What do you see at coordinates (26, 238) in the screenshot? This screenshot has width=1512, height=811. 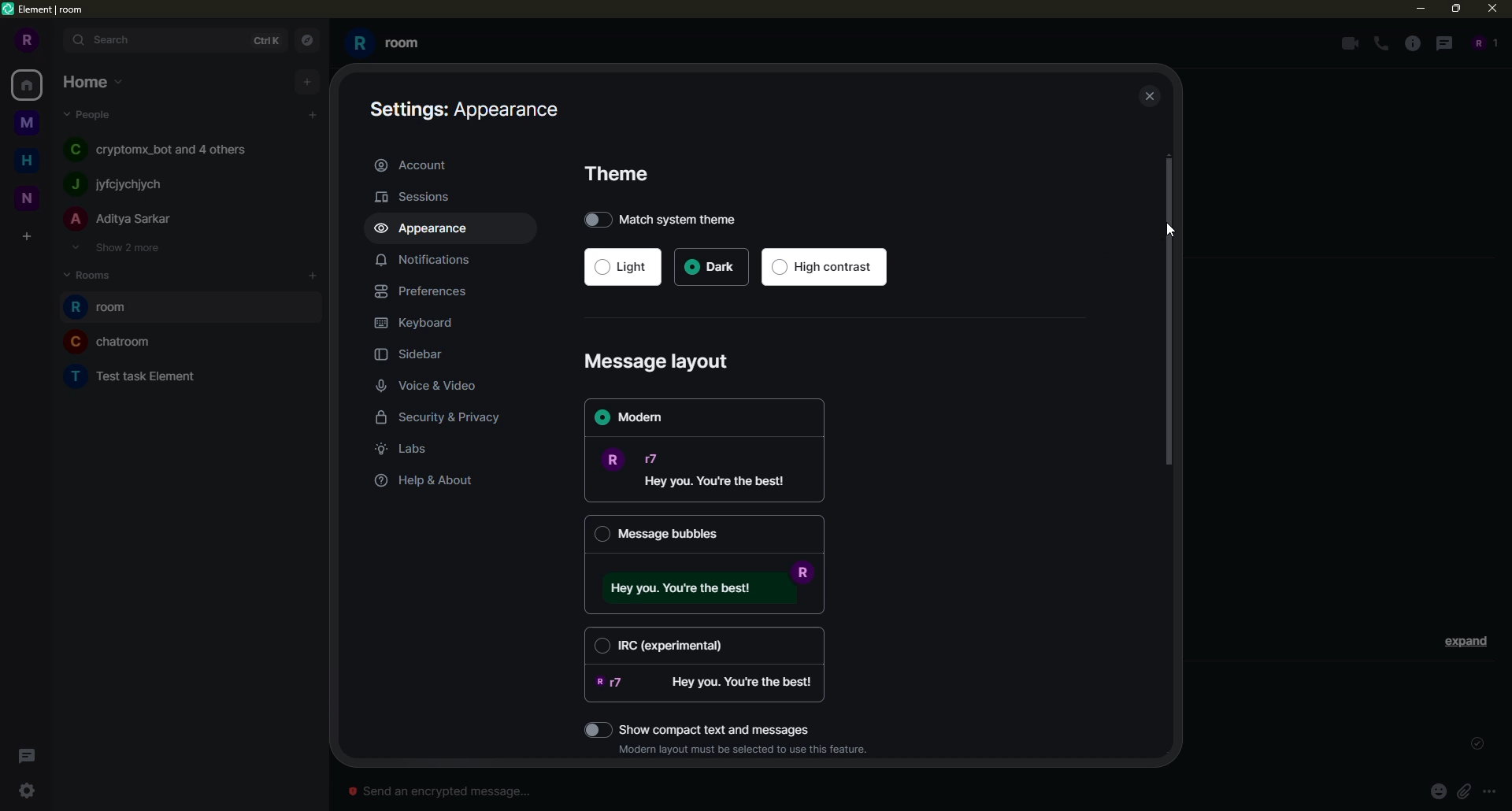 I see `create space` at bounding box center [26, 238].